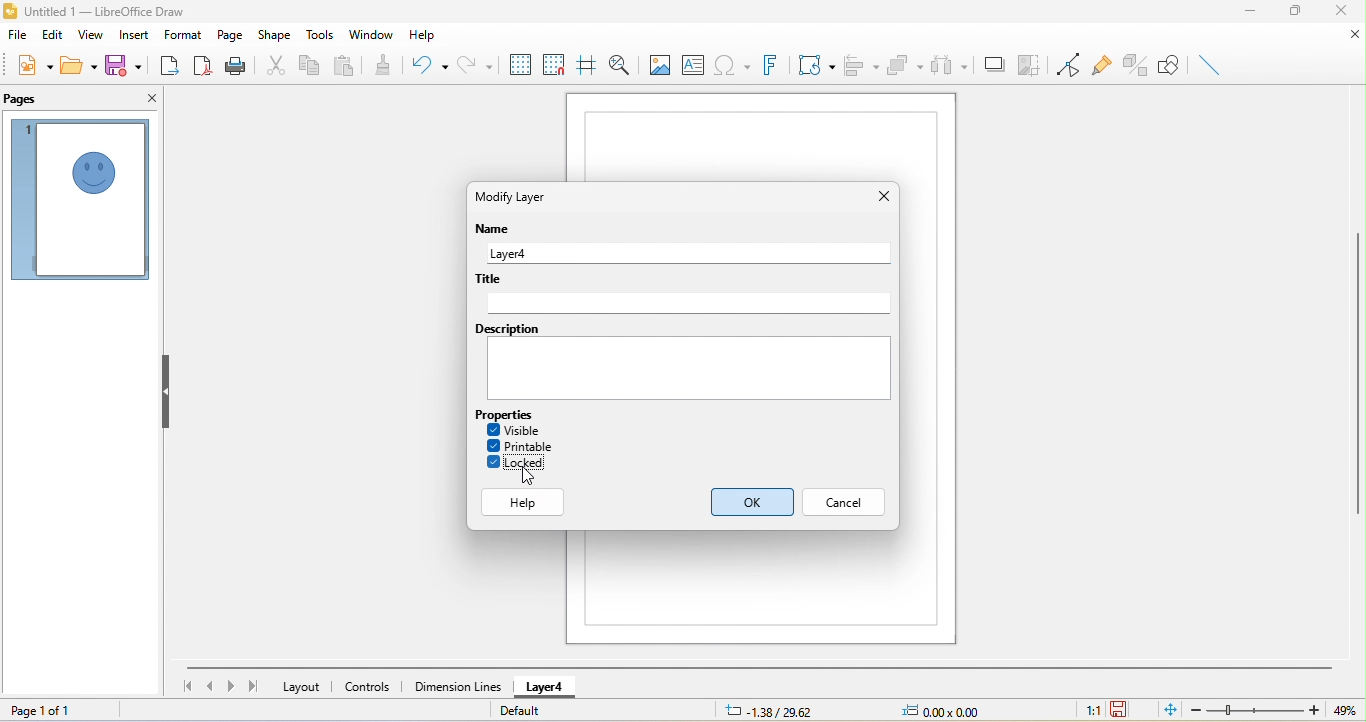  I want to click on export directly as pdf, so click(204, 64).